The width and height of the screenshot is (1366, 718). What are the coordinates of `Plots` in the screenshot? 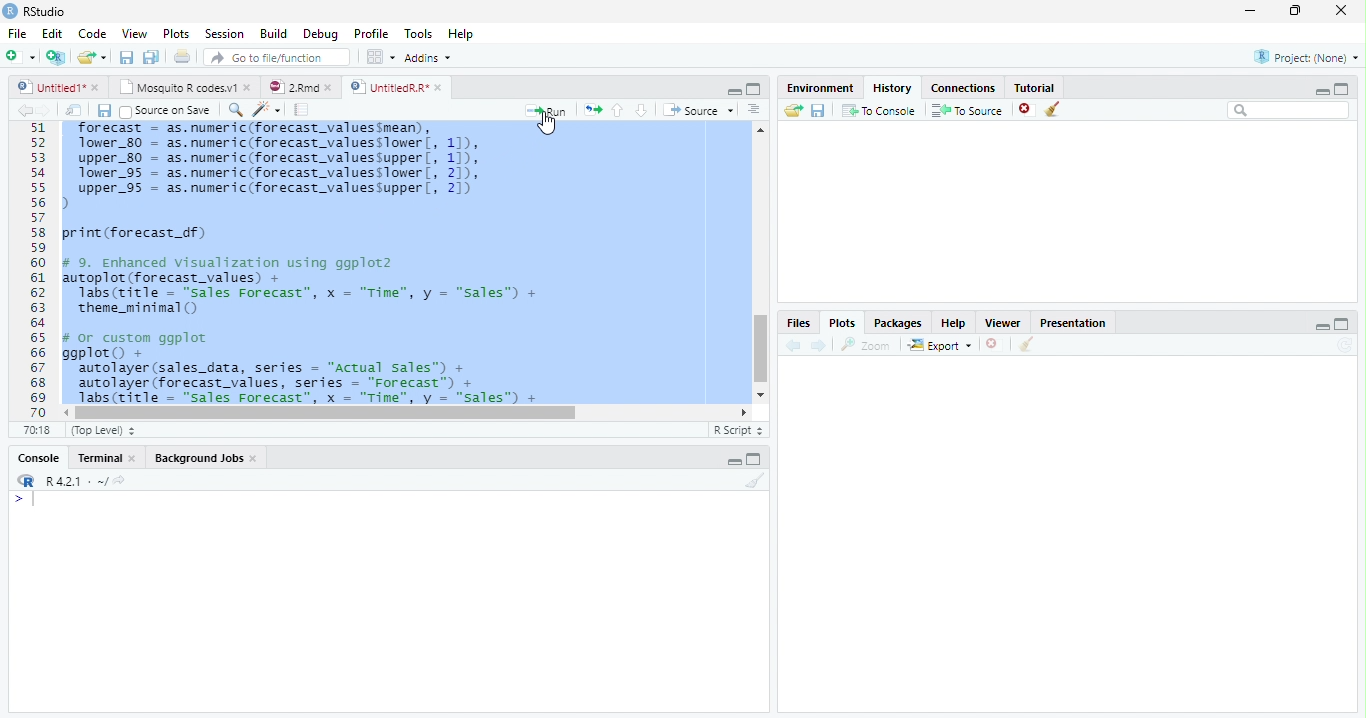 It's located at (175, 32).